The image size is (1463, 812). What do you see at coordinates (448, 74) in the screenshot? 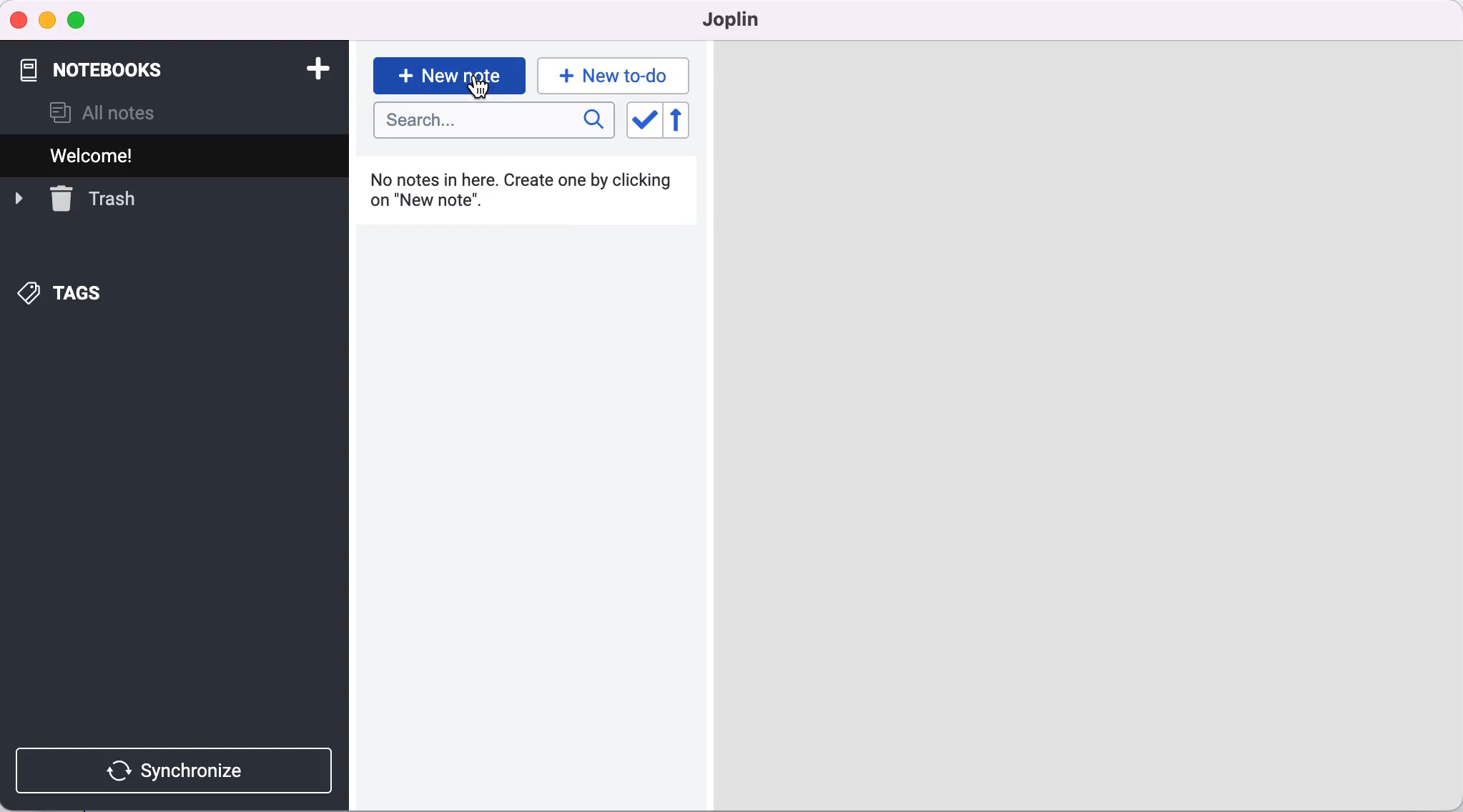
I see `new note` at bounding box center [448, 74].